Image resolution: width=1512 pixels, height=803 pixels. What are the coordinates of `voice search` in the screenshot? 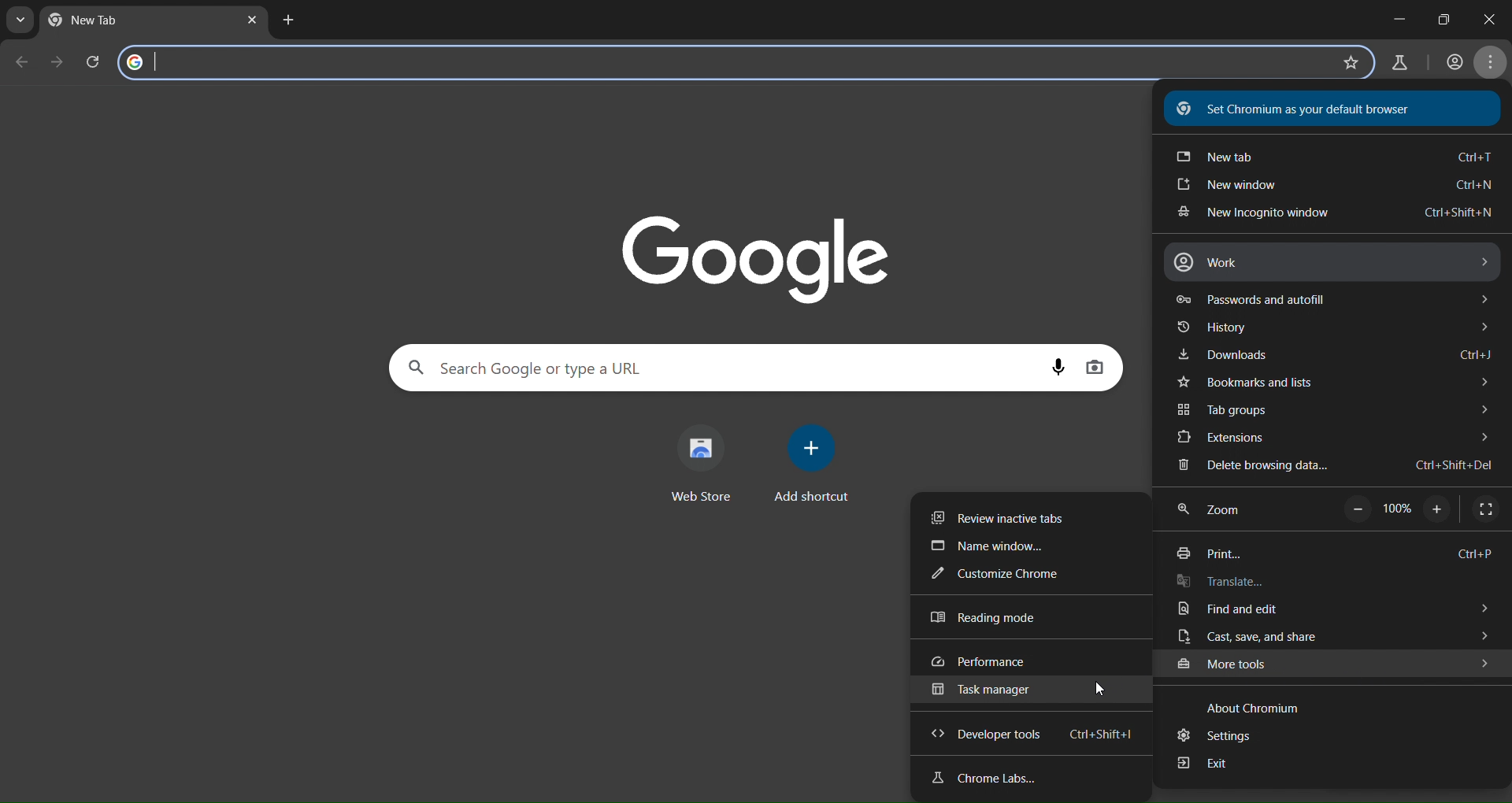 It's located at (1060, 366).